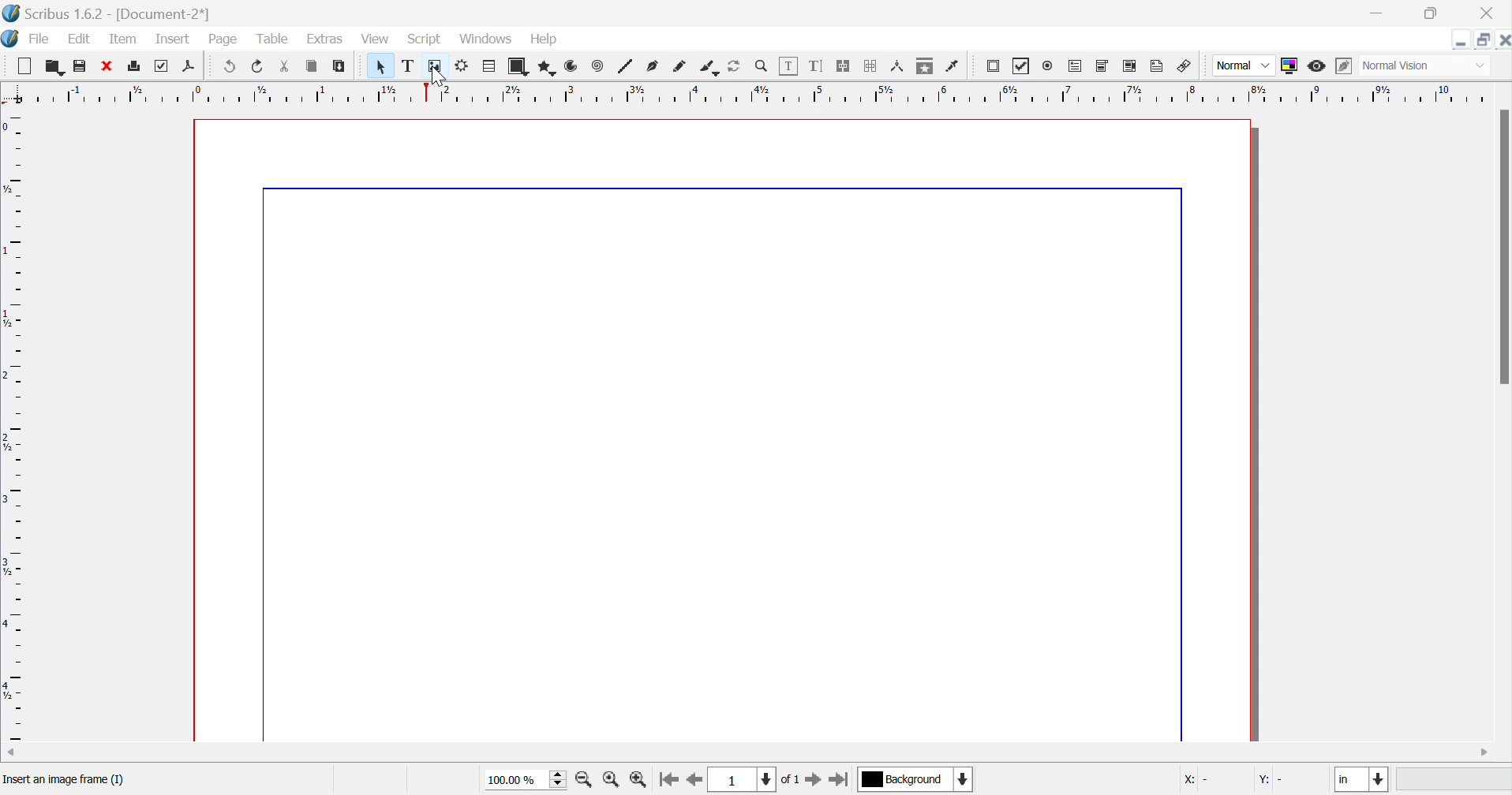 This screenshot has width=1512, height=795. I want to click on current page, so click(757, 779).